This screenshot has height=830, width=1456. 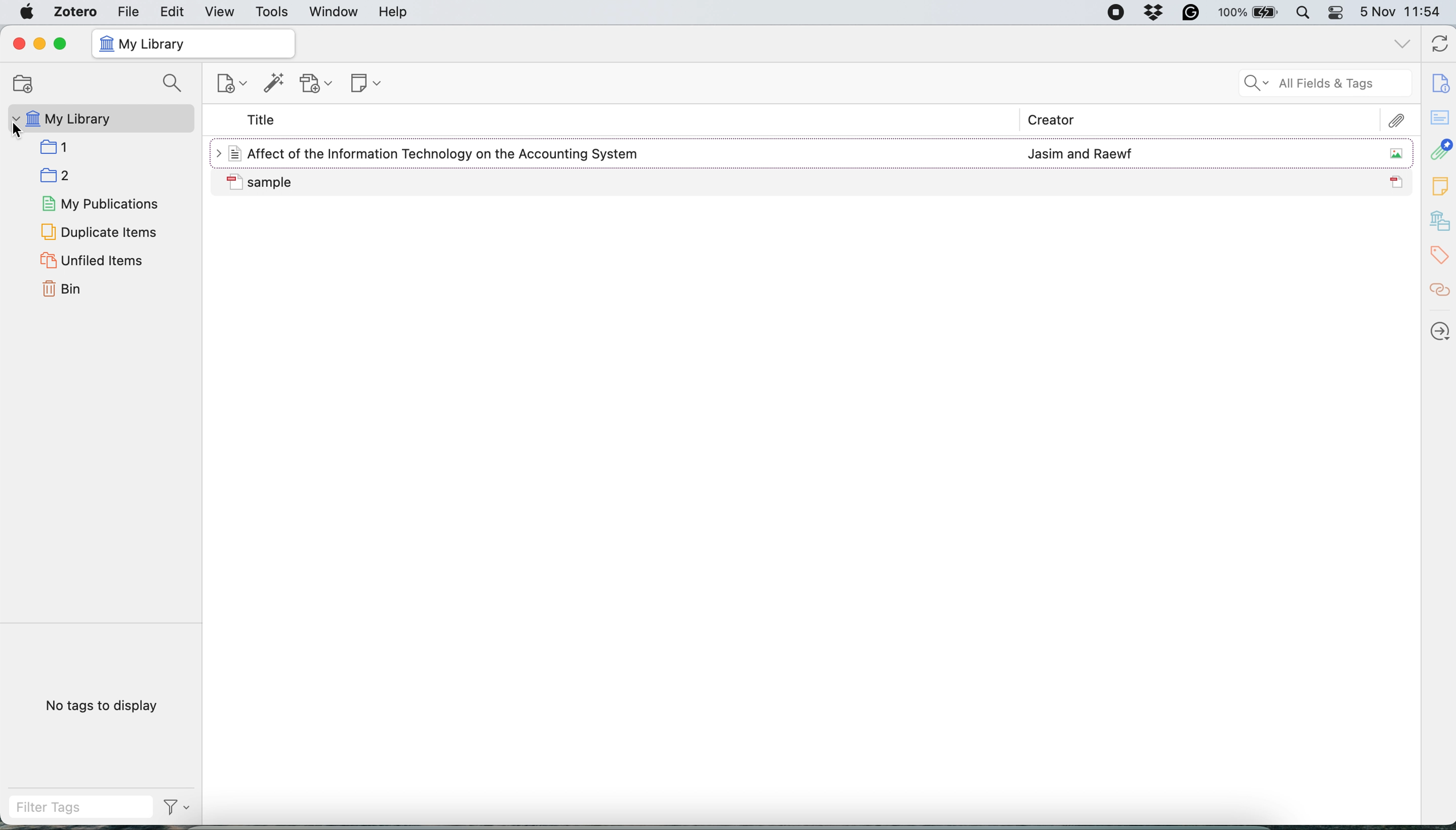 What do you see at coordinates (1436, 288) in the screenshot?
I see `related` at bounding box center [1436, 288].